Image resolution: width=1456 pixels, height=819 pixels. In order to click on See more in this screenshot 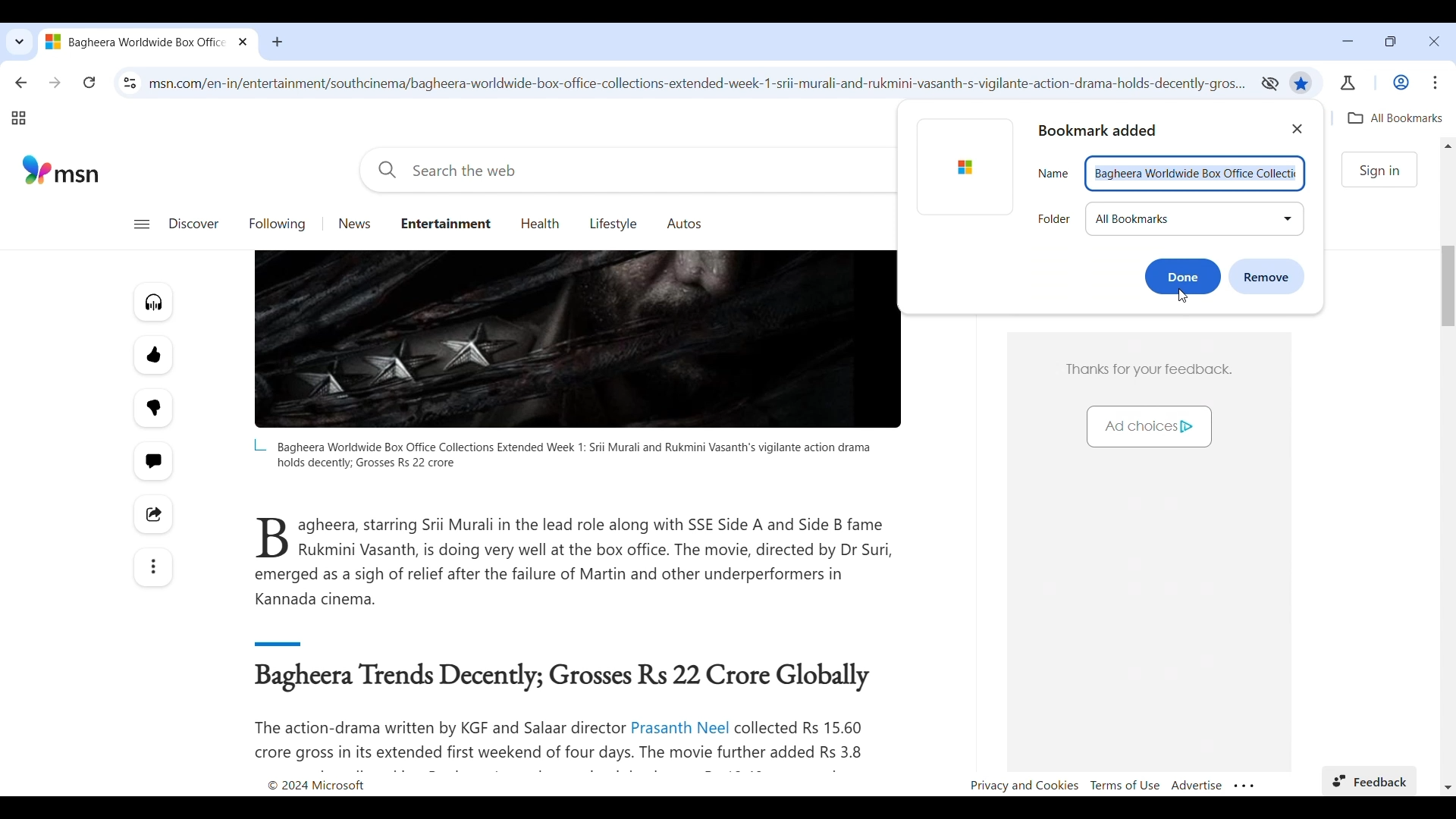, I will do `click(152, 567)`.